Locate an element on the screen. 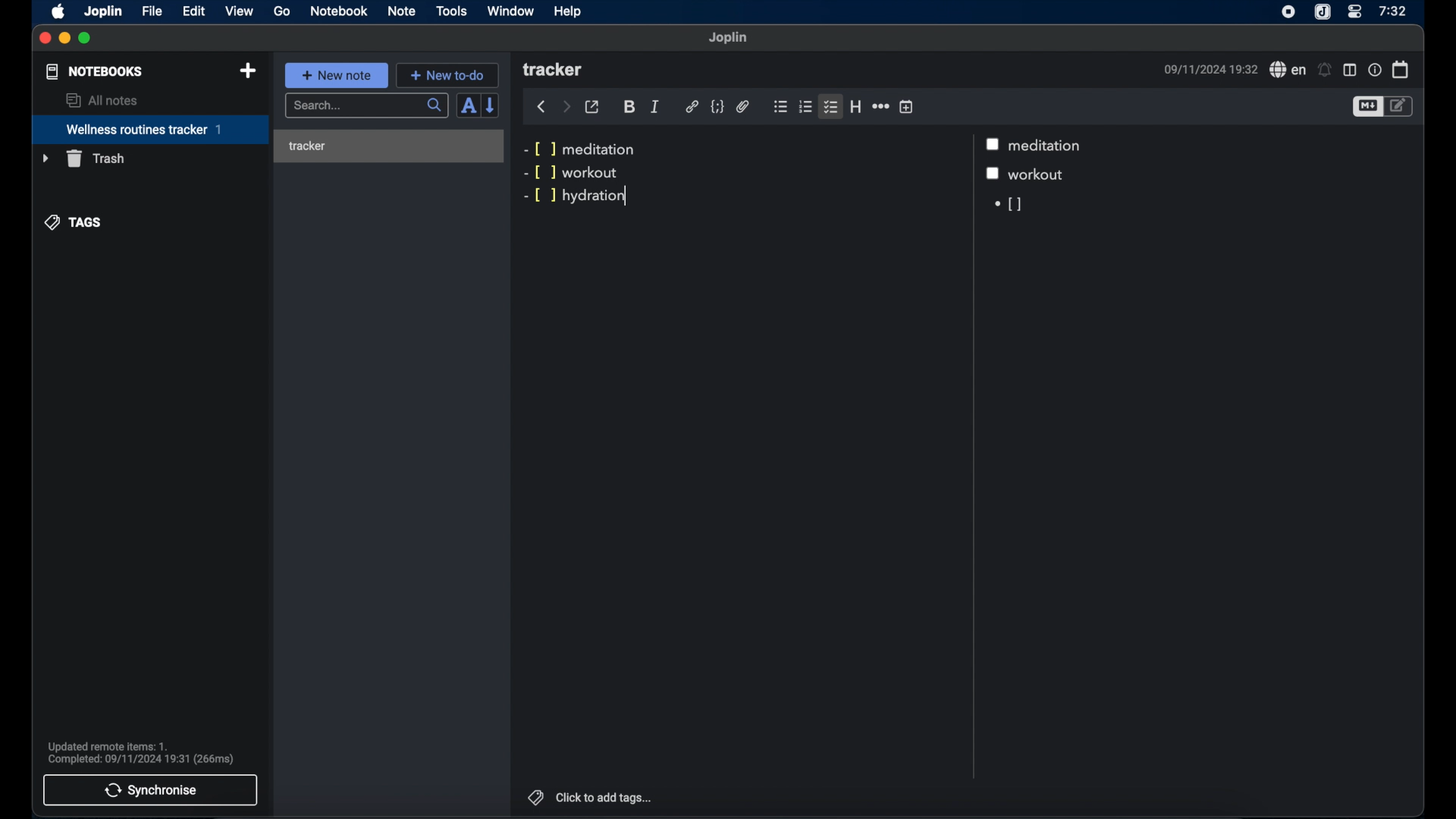 This screenshot has height=819, width=1456. numbered list is located at coordinates (806, 107).